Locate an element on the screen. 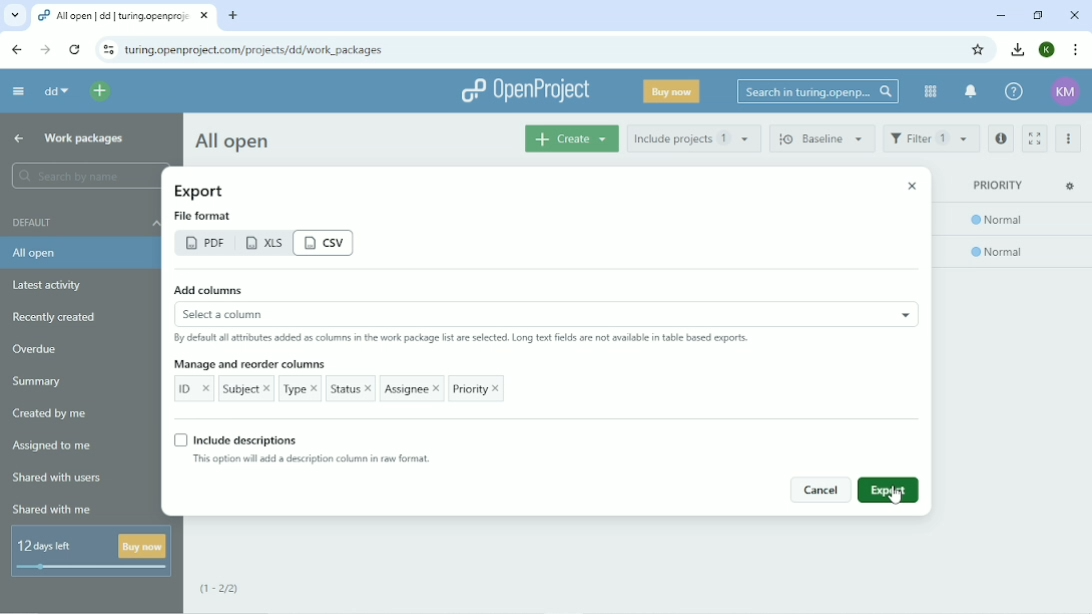 Image resolution: width=1092 pixels, height=614 pixels. Assigned to me is located at coordinates (55, 447).